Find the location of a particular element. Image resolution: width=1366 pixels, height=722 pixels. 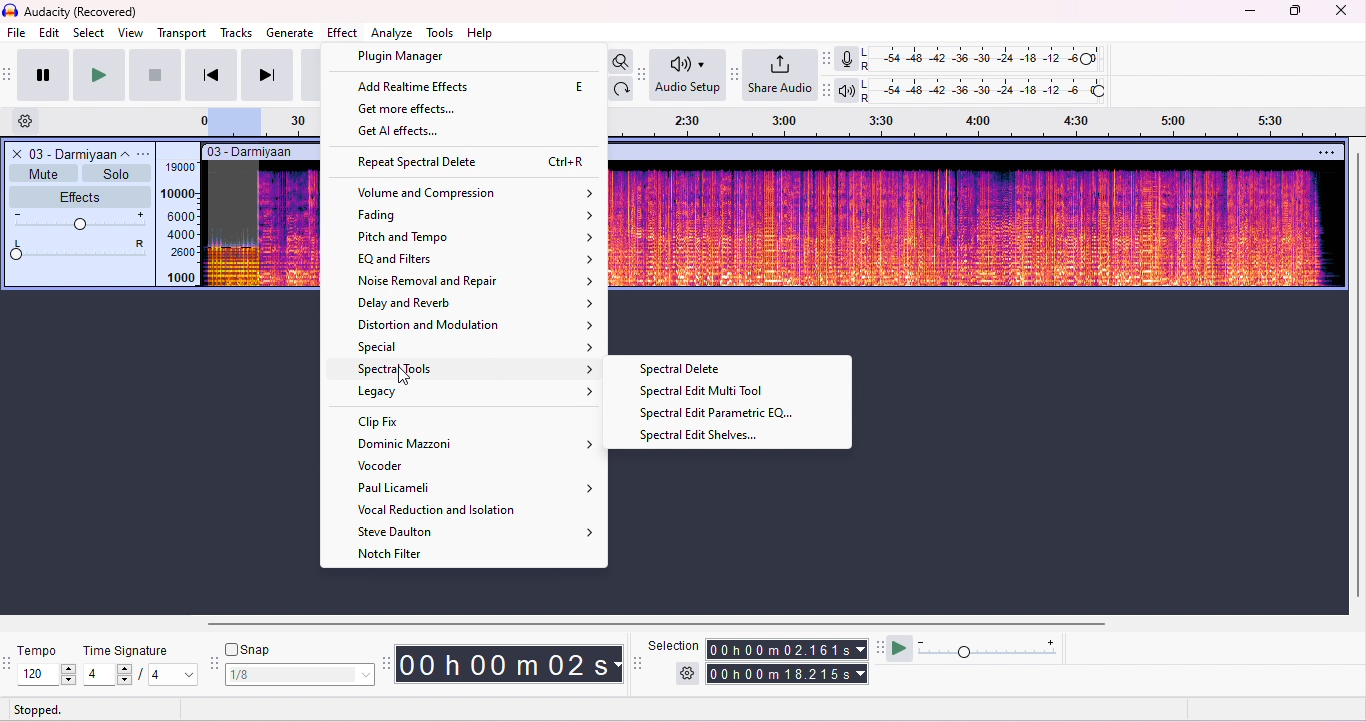

add runtime effects is located at coordinates (461, 136).